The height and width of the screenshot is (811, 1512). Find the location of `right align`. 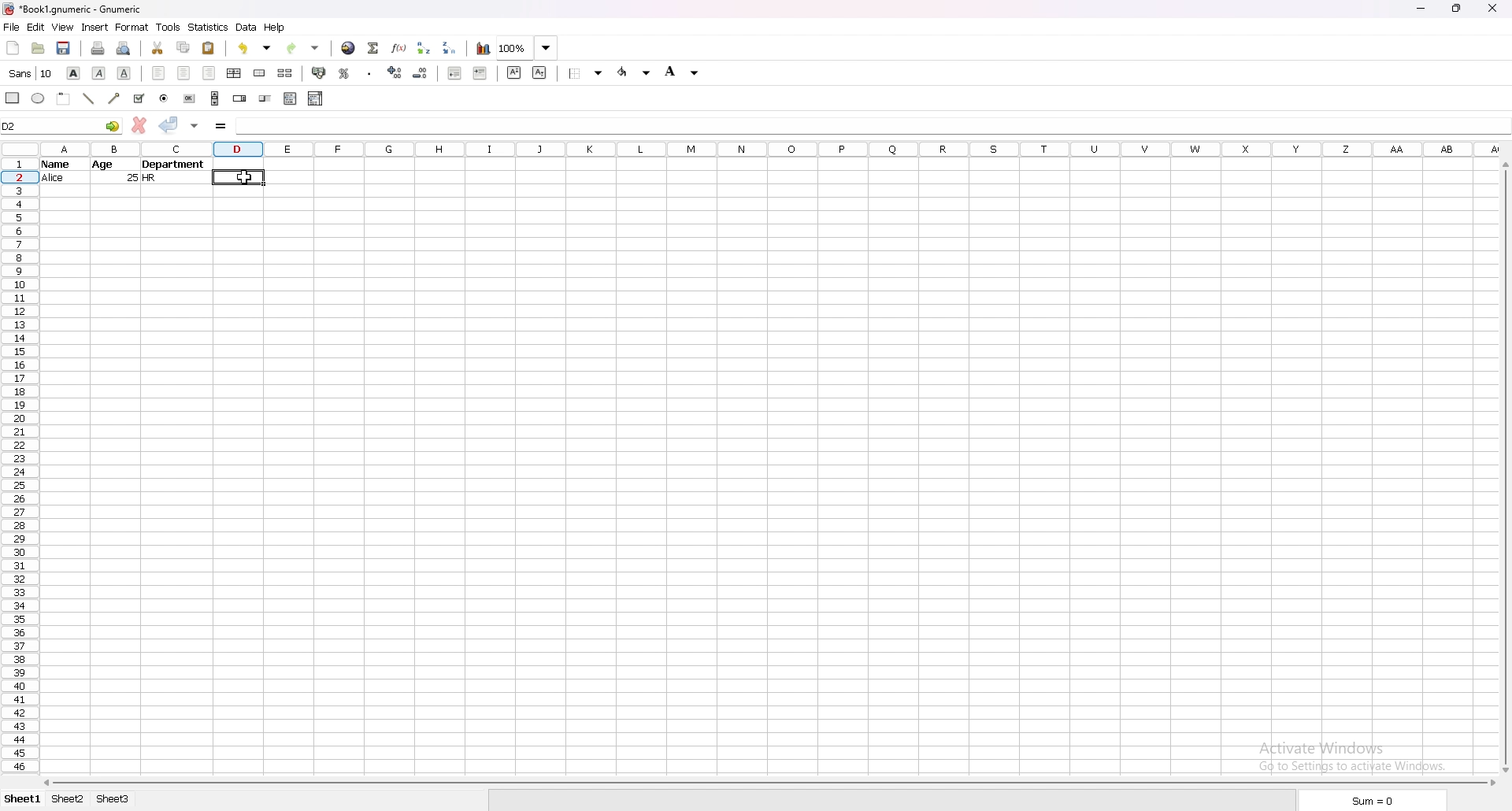

right align is located at coordinates (209, 72).